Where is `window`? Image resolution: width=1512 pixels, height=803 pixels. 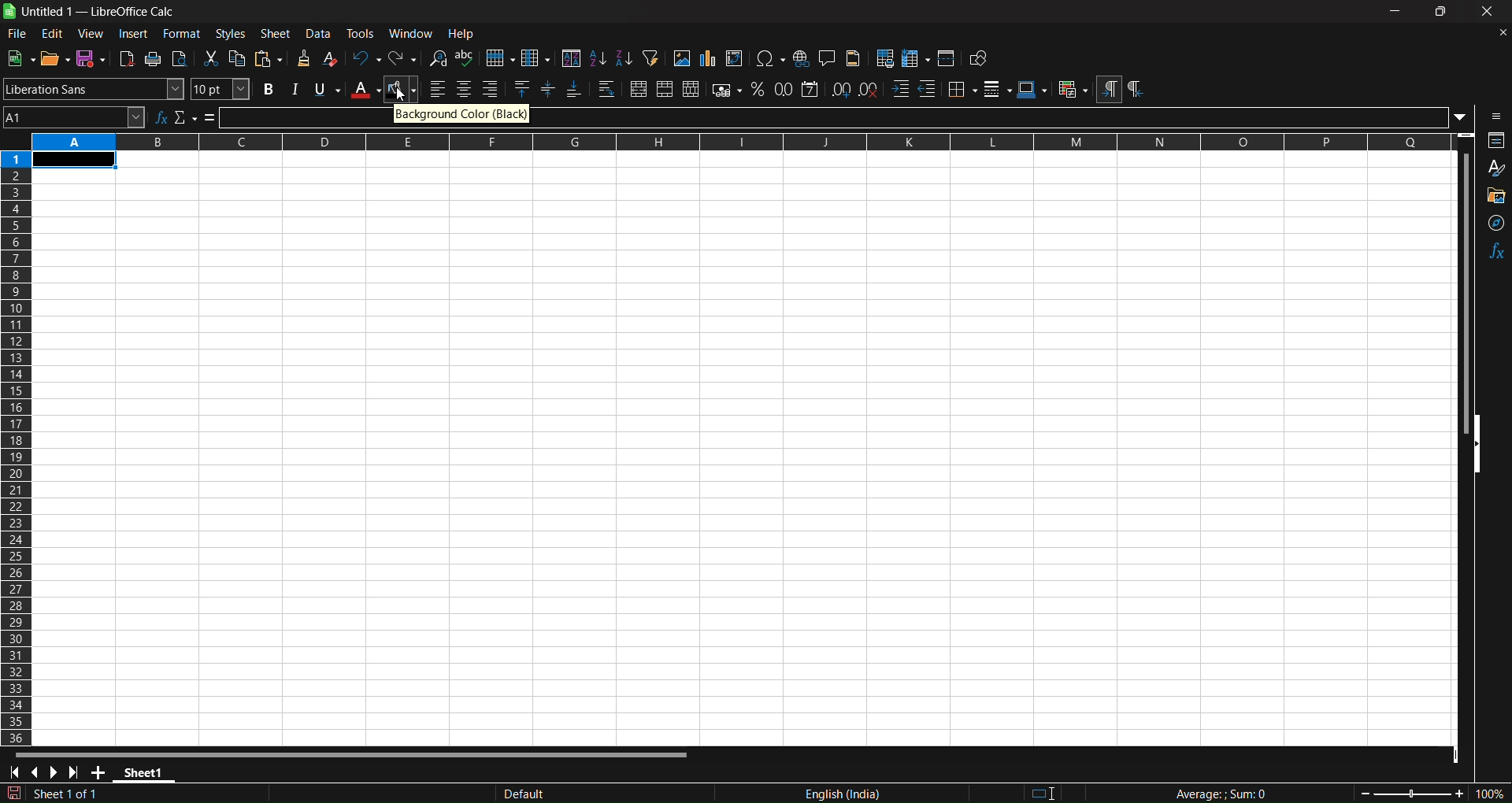 window is located at coordinates (411, 35).